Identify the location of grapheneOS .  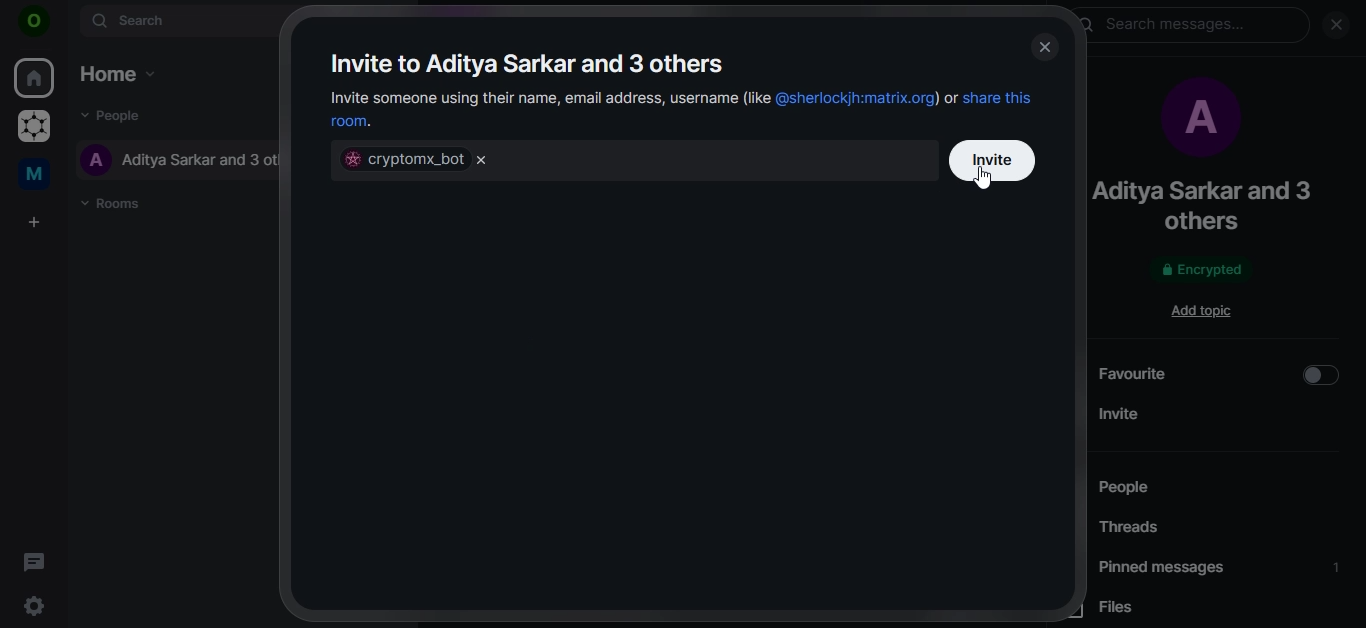
(32, 128).